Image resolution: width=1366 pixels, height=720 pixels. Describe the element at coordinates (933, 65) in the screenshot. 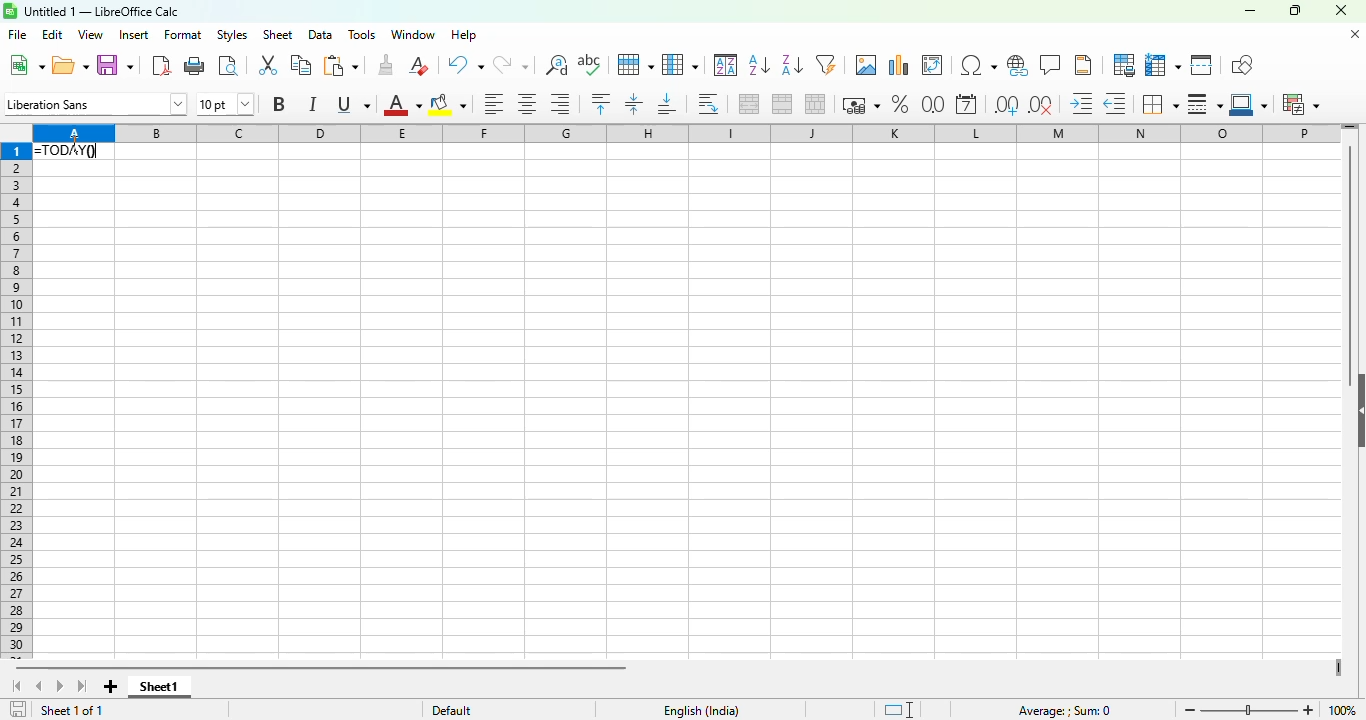

I see `insert or edit pivot table` at that location.